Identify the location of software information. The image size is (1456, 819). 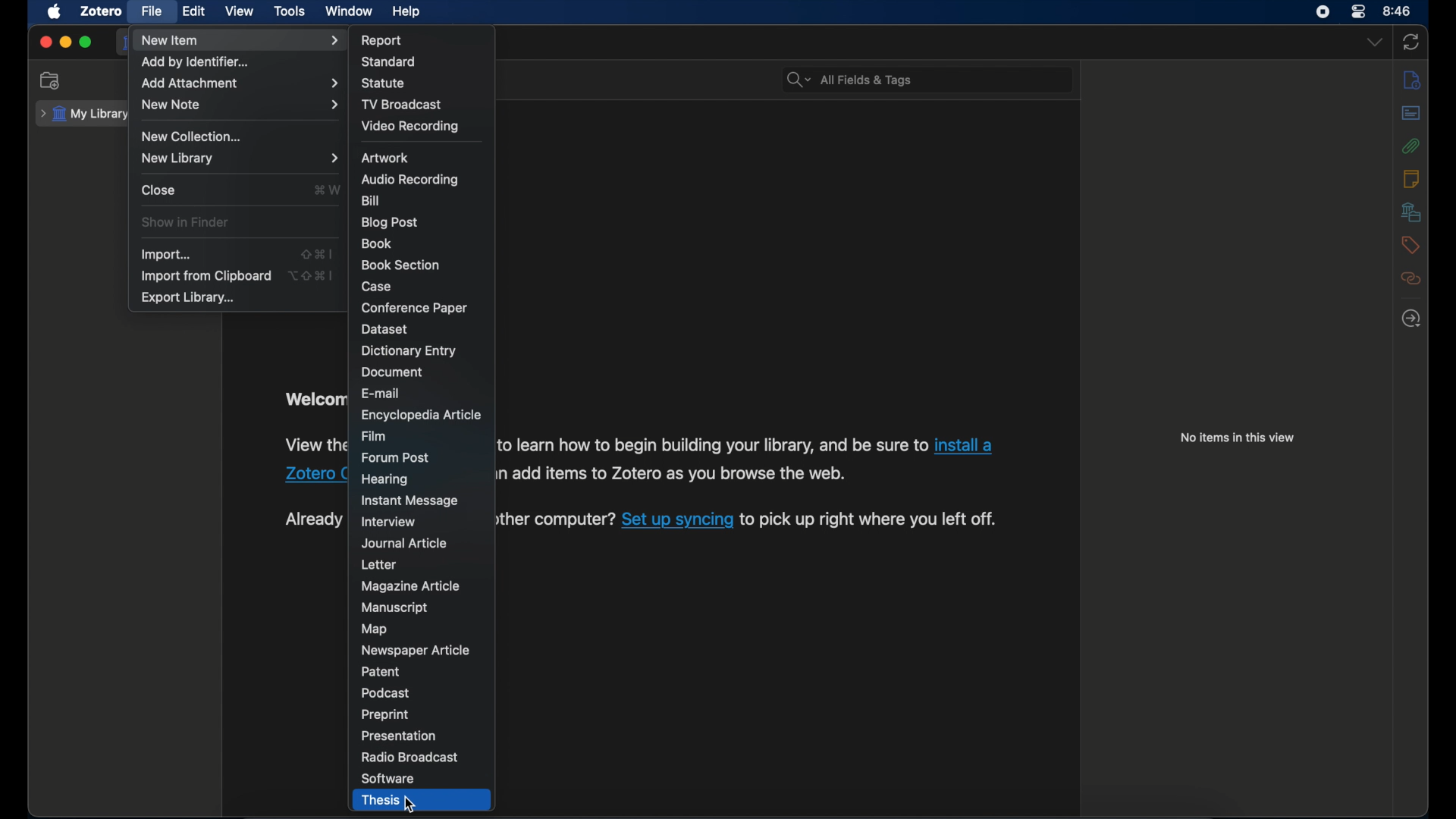
(681, 476).